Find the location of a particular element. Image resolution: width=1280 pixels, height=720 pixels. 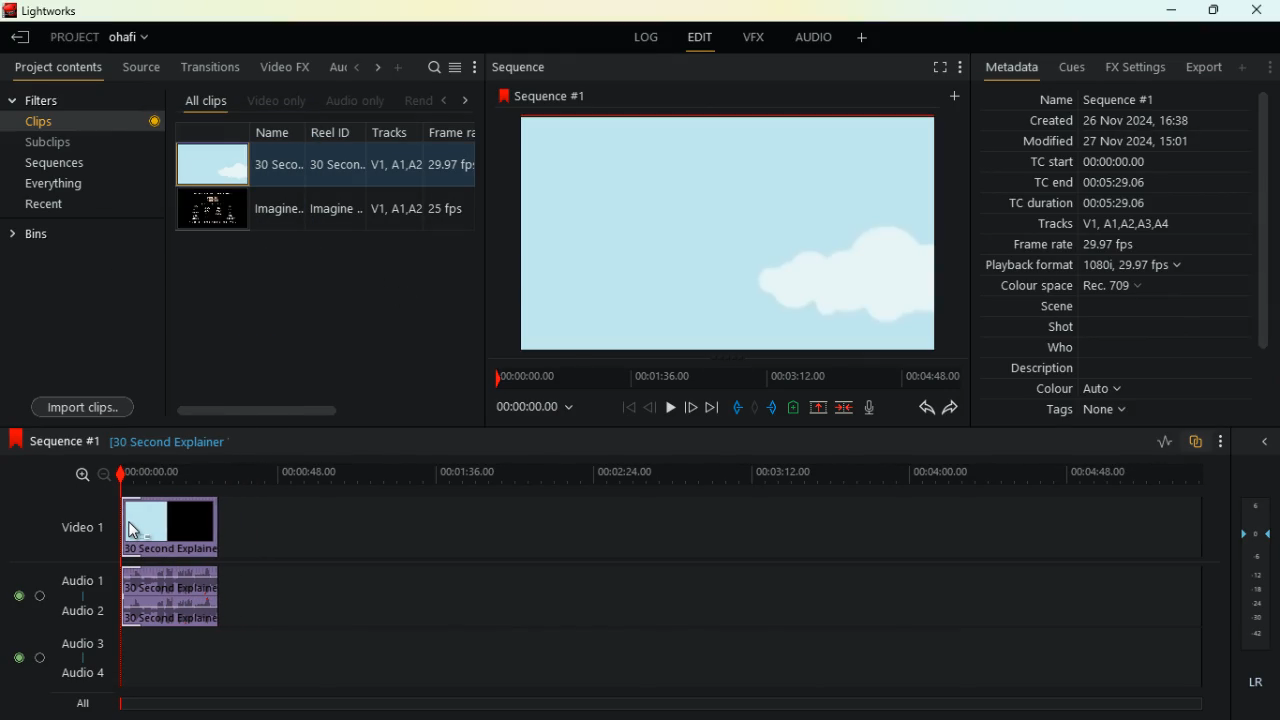

who is located at coordinates (1066, 349).